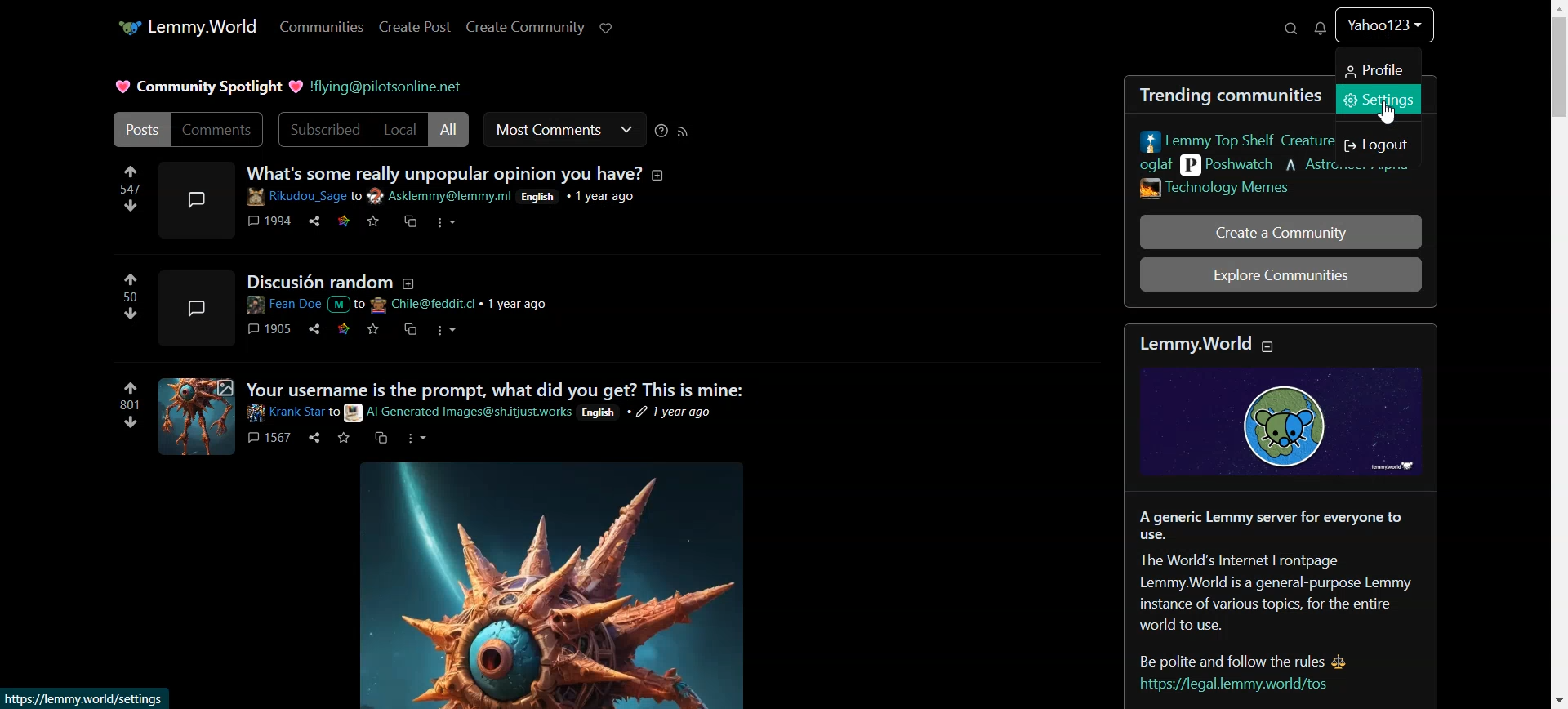 The height and width of the screenshot is (709, 1568). I want to click on Create a community, so click(1279, 231).